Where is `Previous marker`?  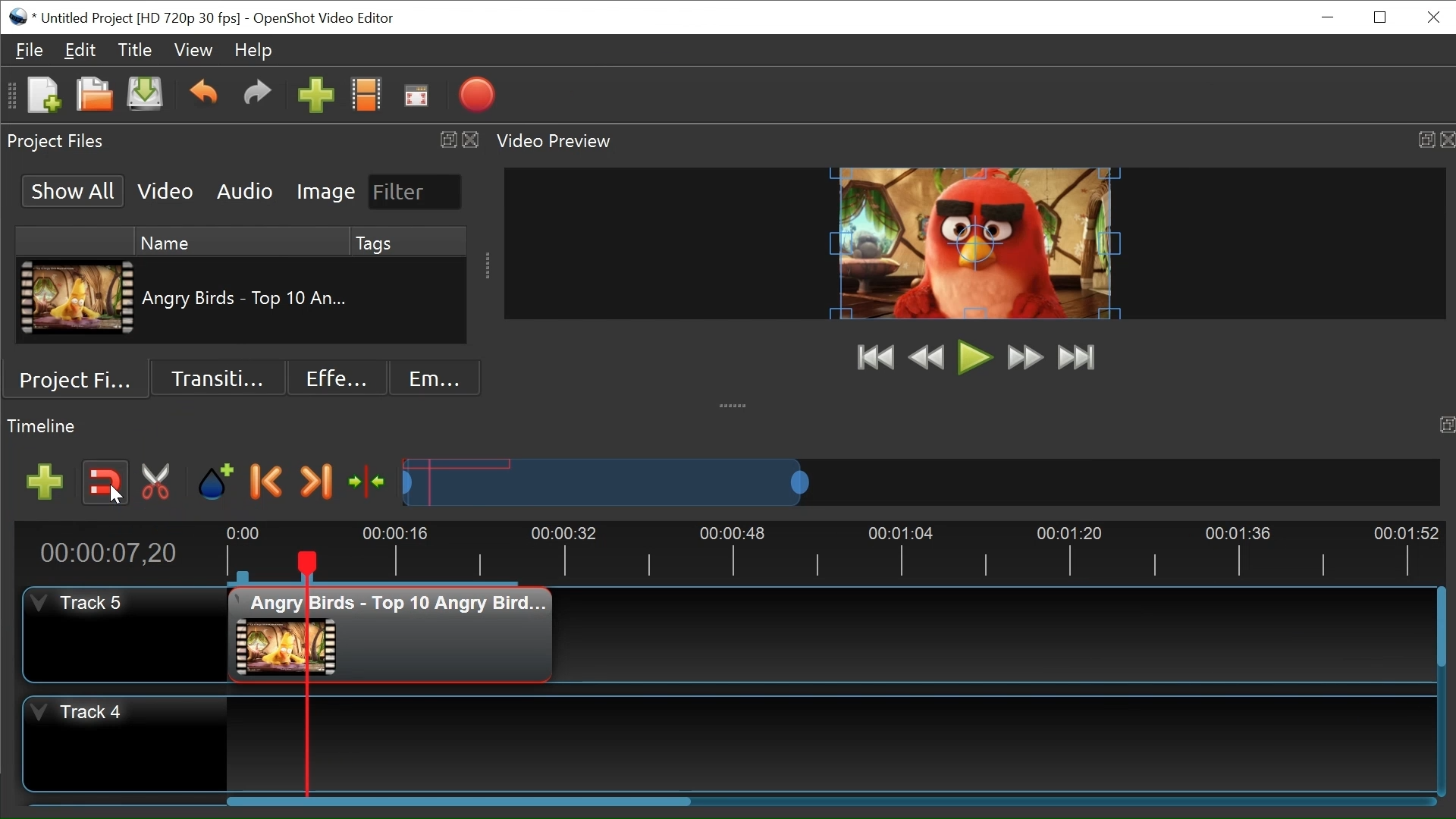
Previous marker is located at coordinates (266, 481).